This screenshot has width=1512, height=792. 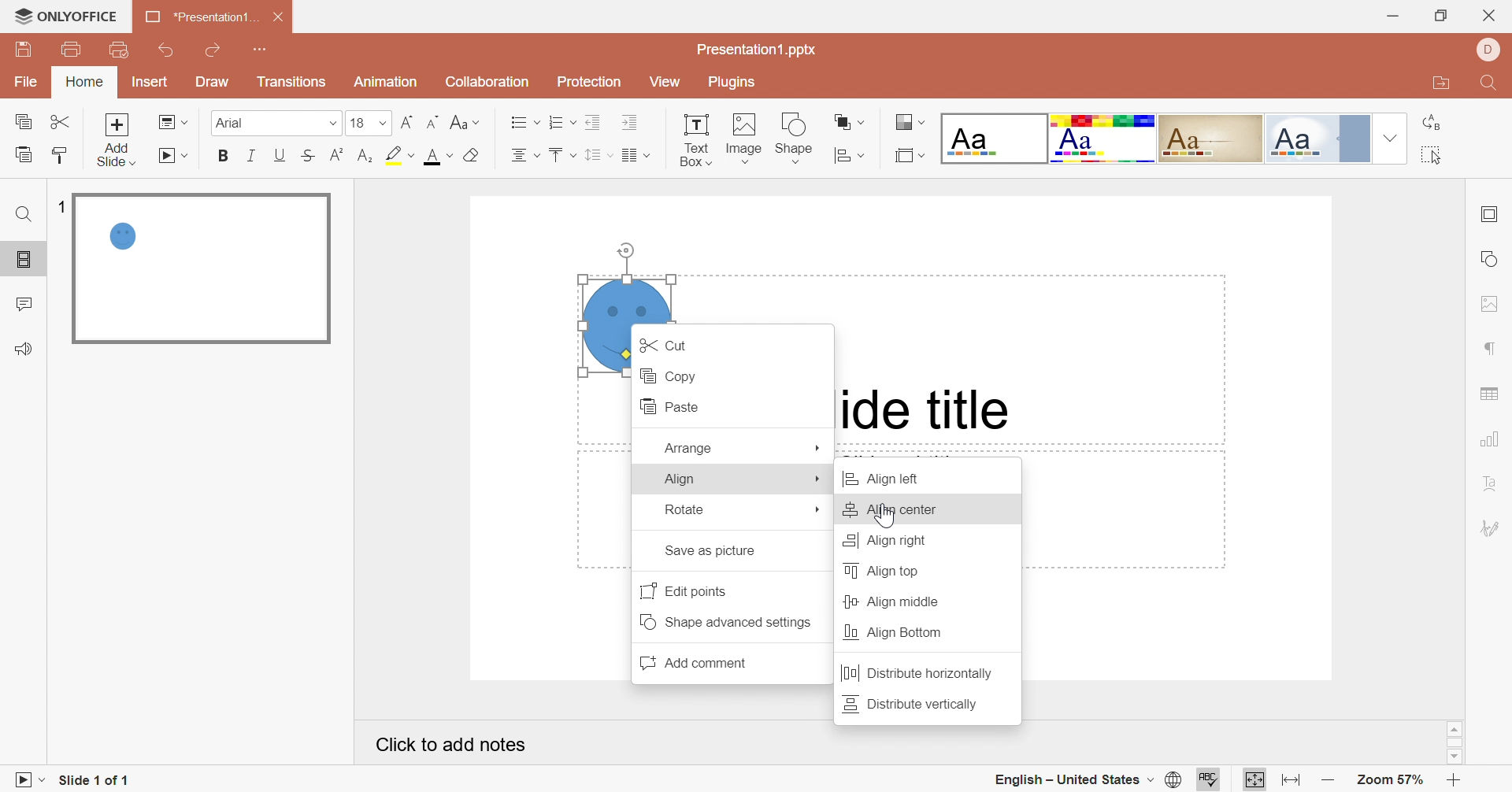 I want to click on Copy style, so click(x=57, y=154).